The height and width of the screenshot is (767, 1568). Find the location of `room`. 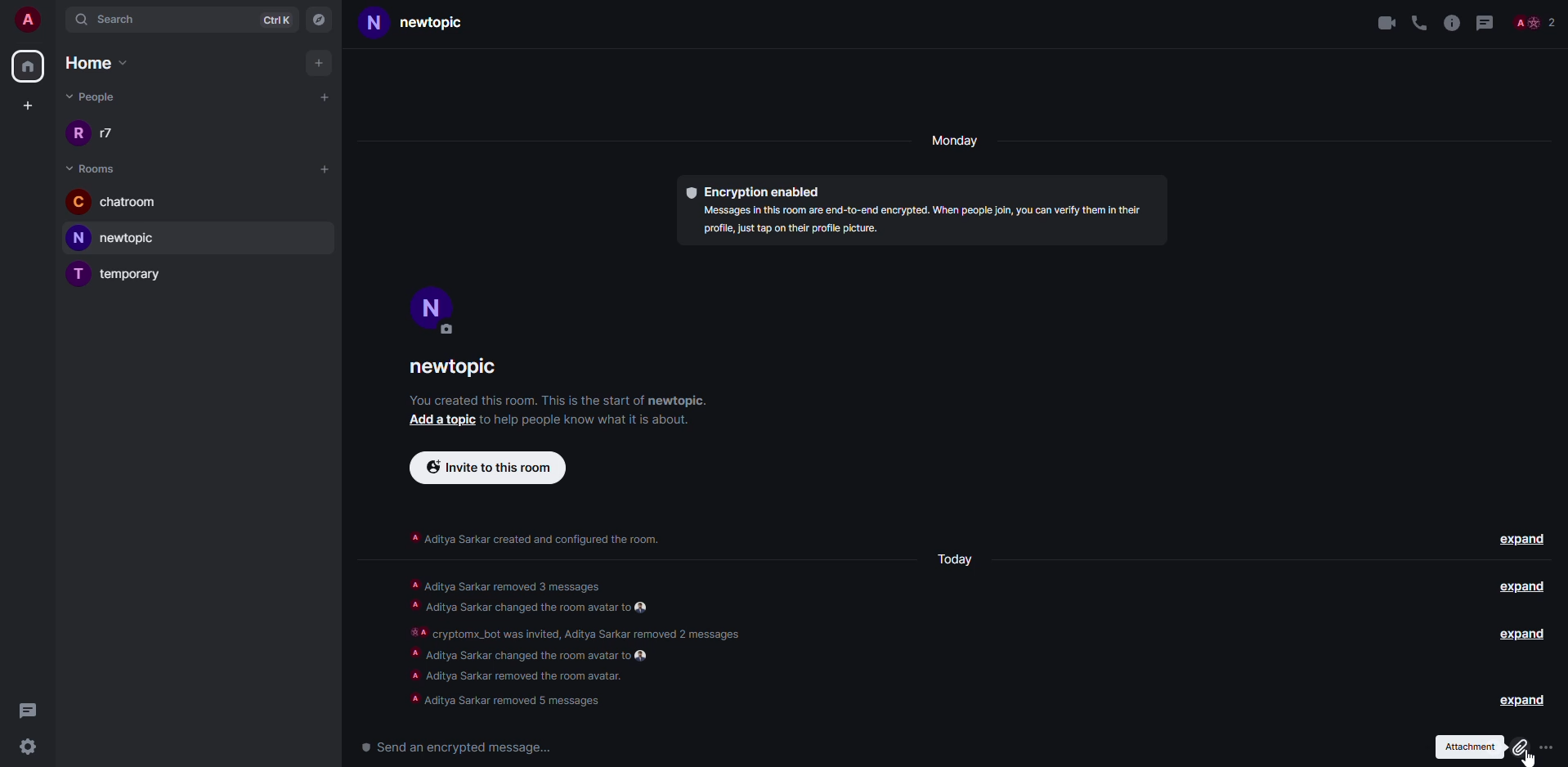

room is located at coordinates (422, 22).